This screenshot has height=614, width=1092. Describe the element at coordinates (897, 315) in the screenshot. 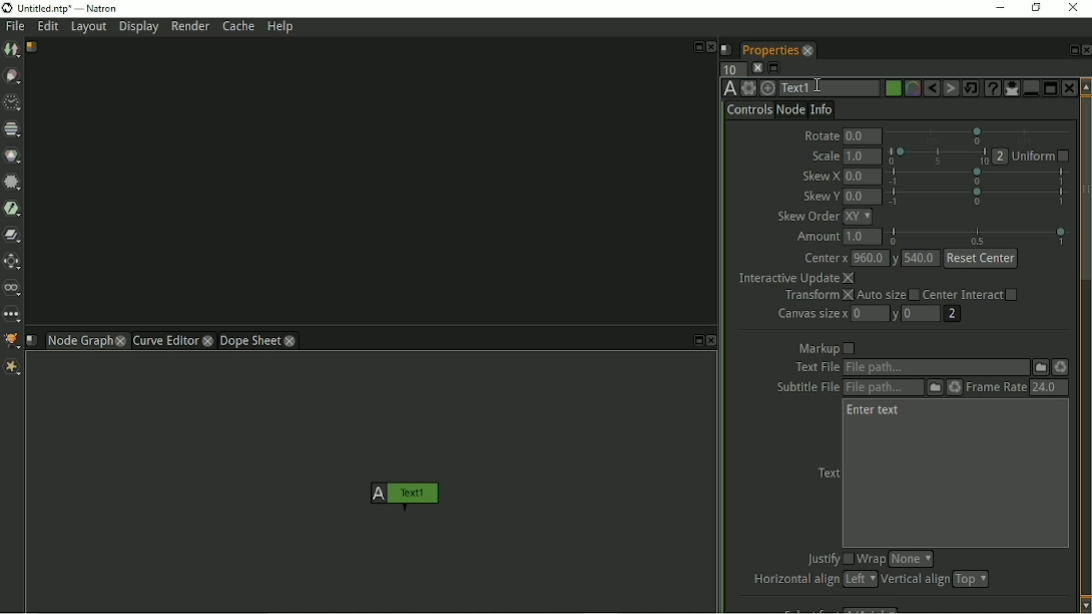

I see `y` at that location.